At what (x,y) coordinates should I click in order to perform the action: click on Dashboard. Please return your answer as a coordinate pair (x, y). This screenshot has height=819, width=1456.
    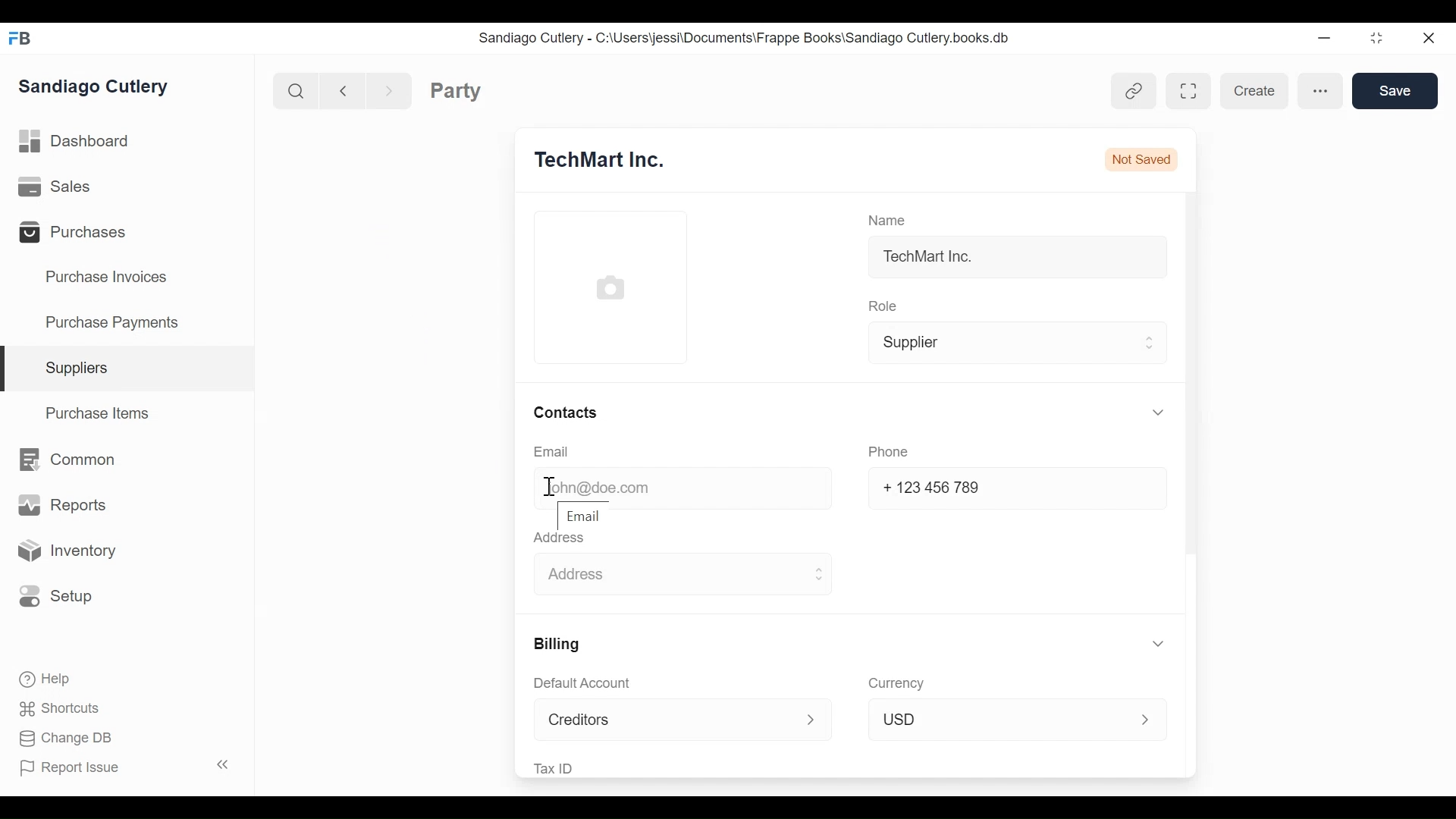
    Looking at the image, I should click on (83, 140).